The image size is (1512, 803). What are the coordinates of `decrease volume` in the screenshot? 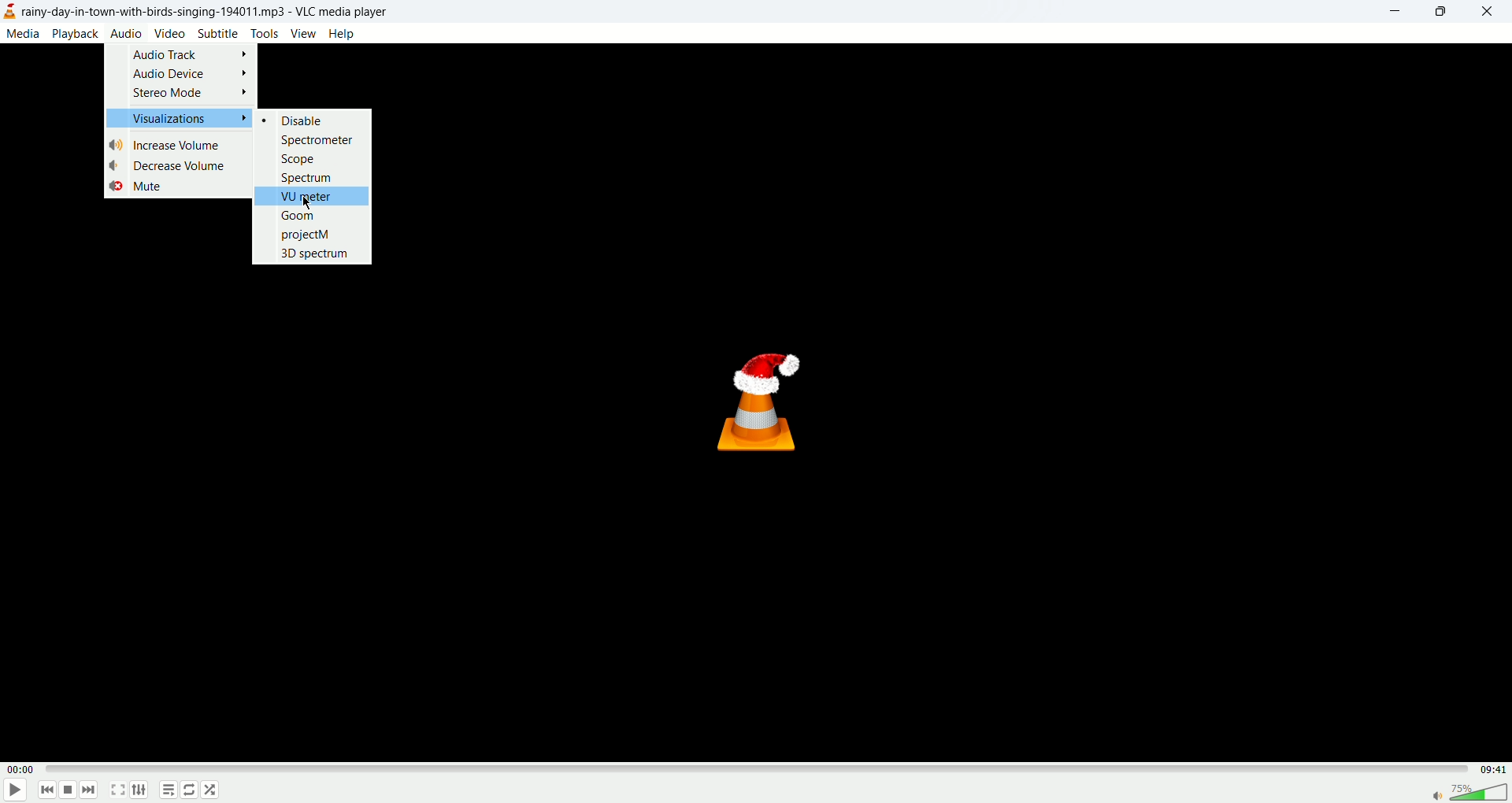 It's located at (169, 165).